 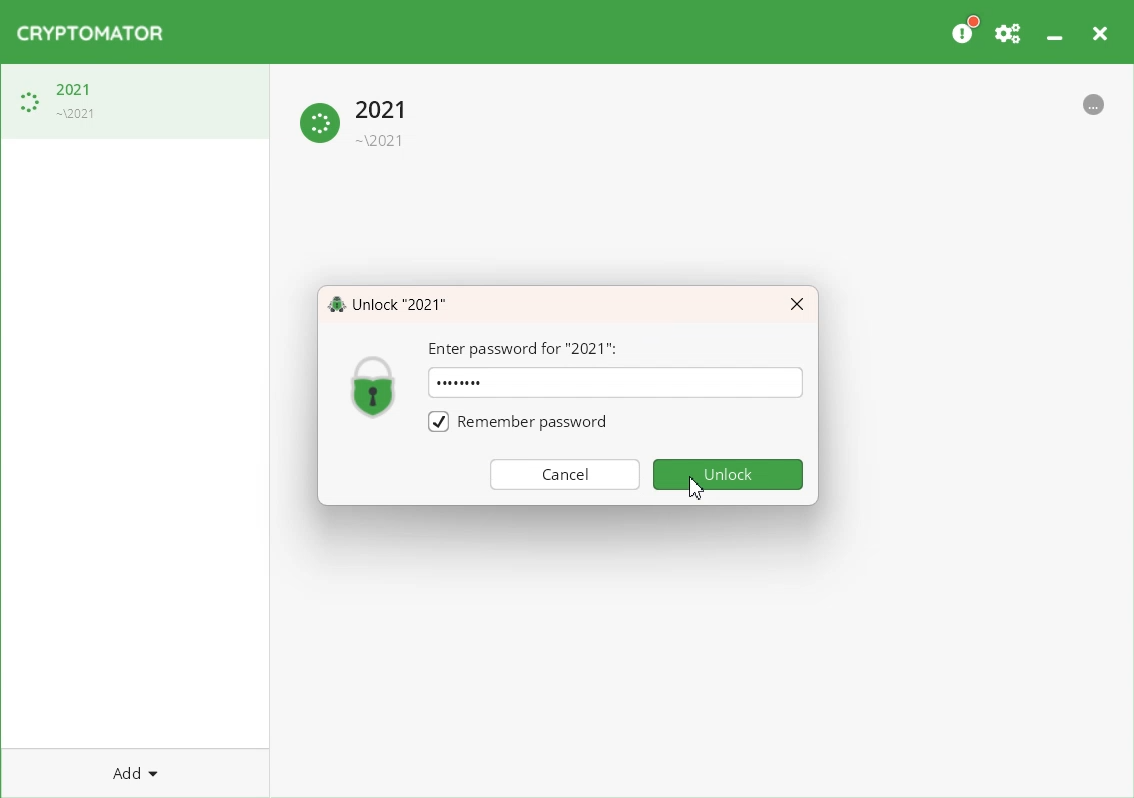 I want to click on Close, so click(x=797, y=305).